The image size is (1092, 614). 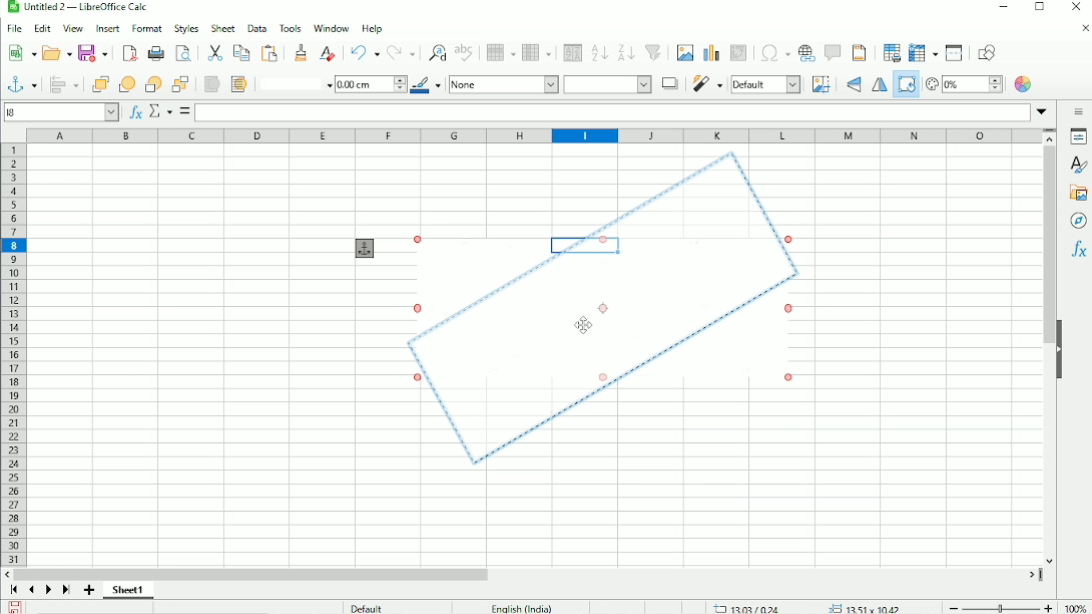 What do you see at coordinates (1024, 84) in the screenshot?
I see `Color` at bounding box center [1024, 84].